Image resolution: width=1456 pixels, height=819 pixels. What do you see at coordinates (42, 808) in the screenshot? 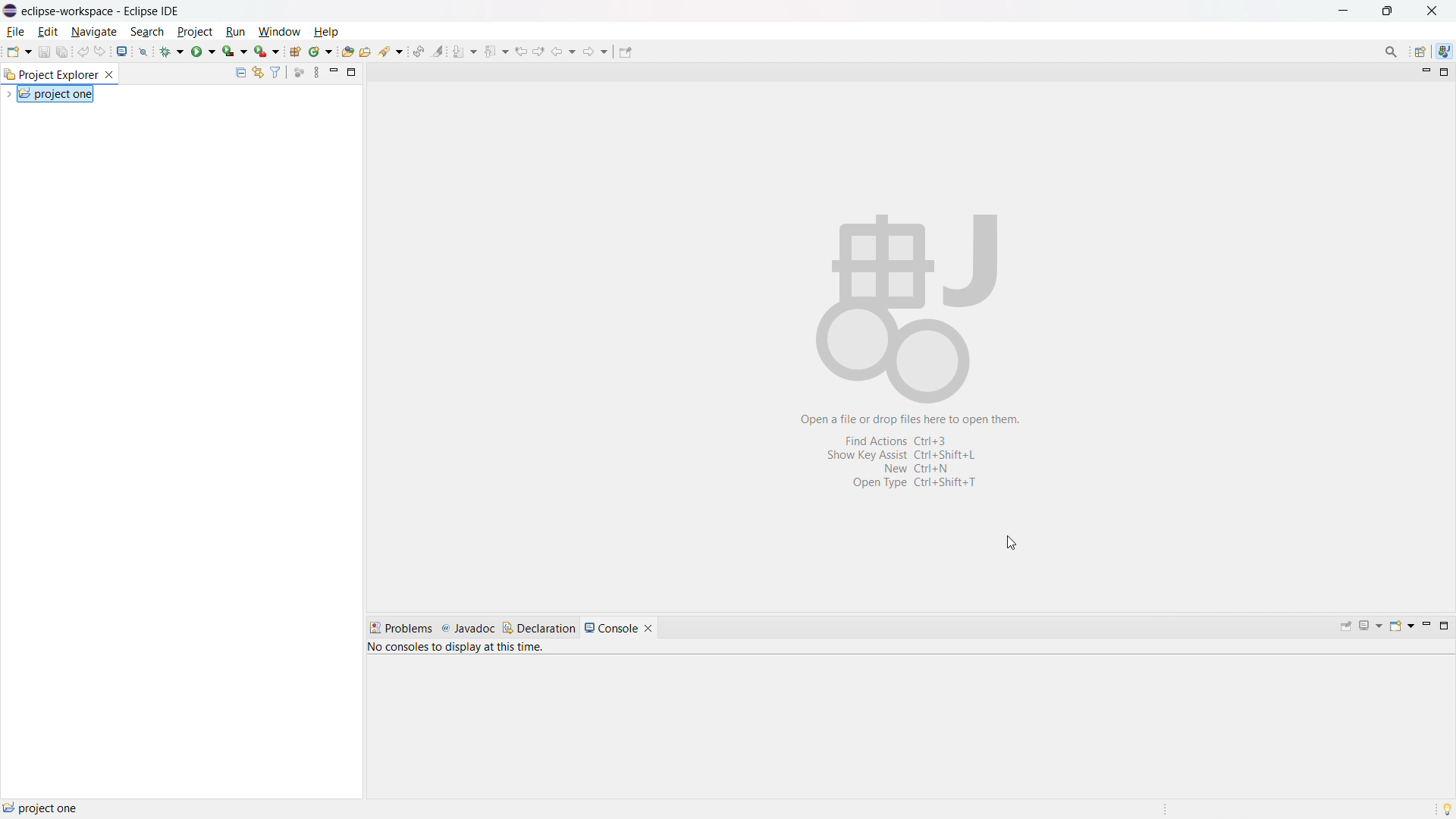
I see `project one` at bounding box center [42, 808].